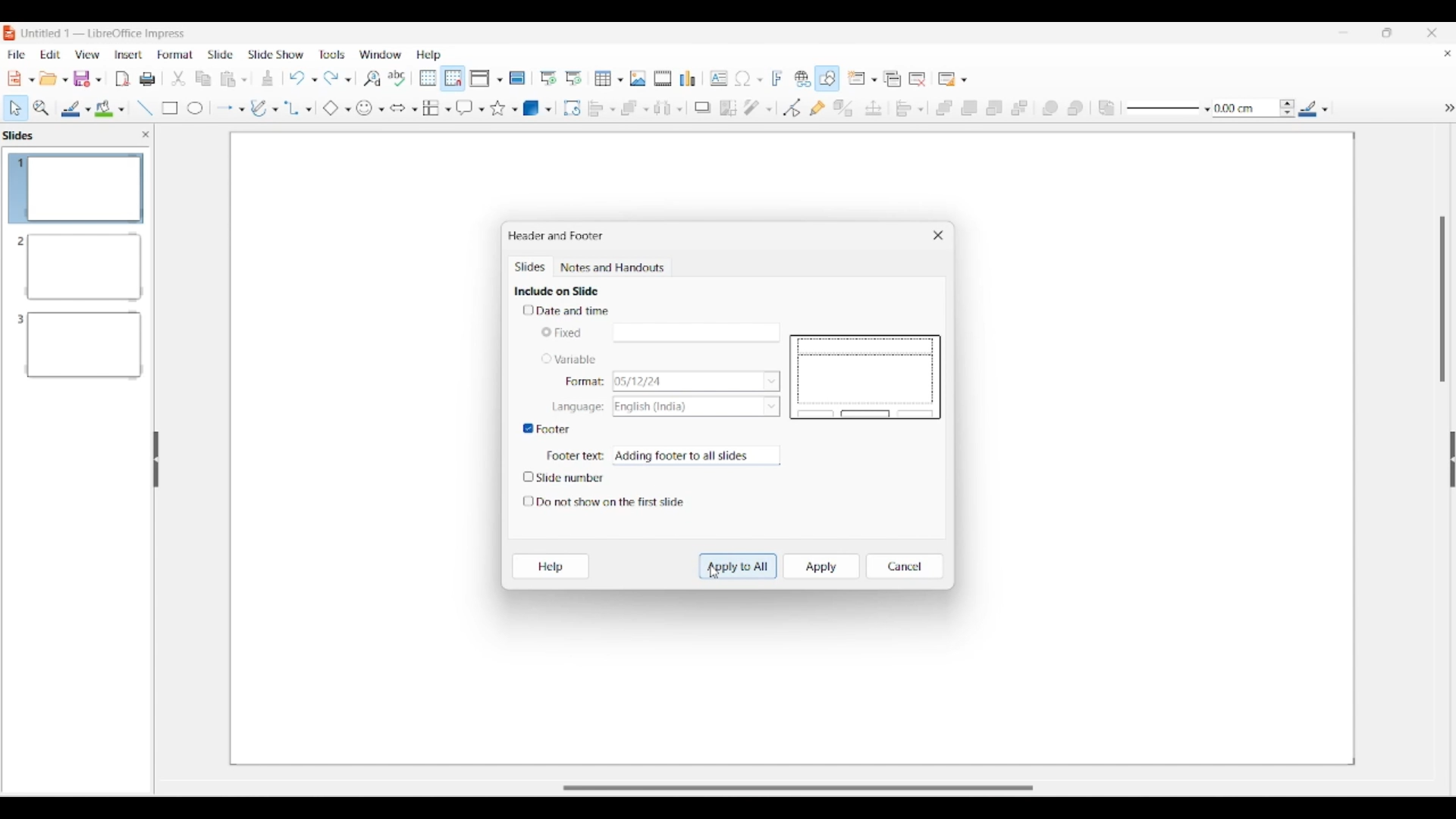 This screenshot has height=819, width=1456. Describe the element at coordinates (609, 78) in the screenshot. I see `Insert table options` at that location.